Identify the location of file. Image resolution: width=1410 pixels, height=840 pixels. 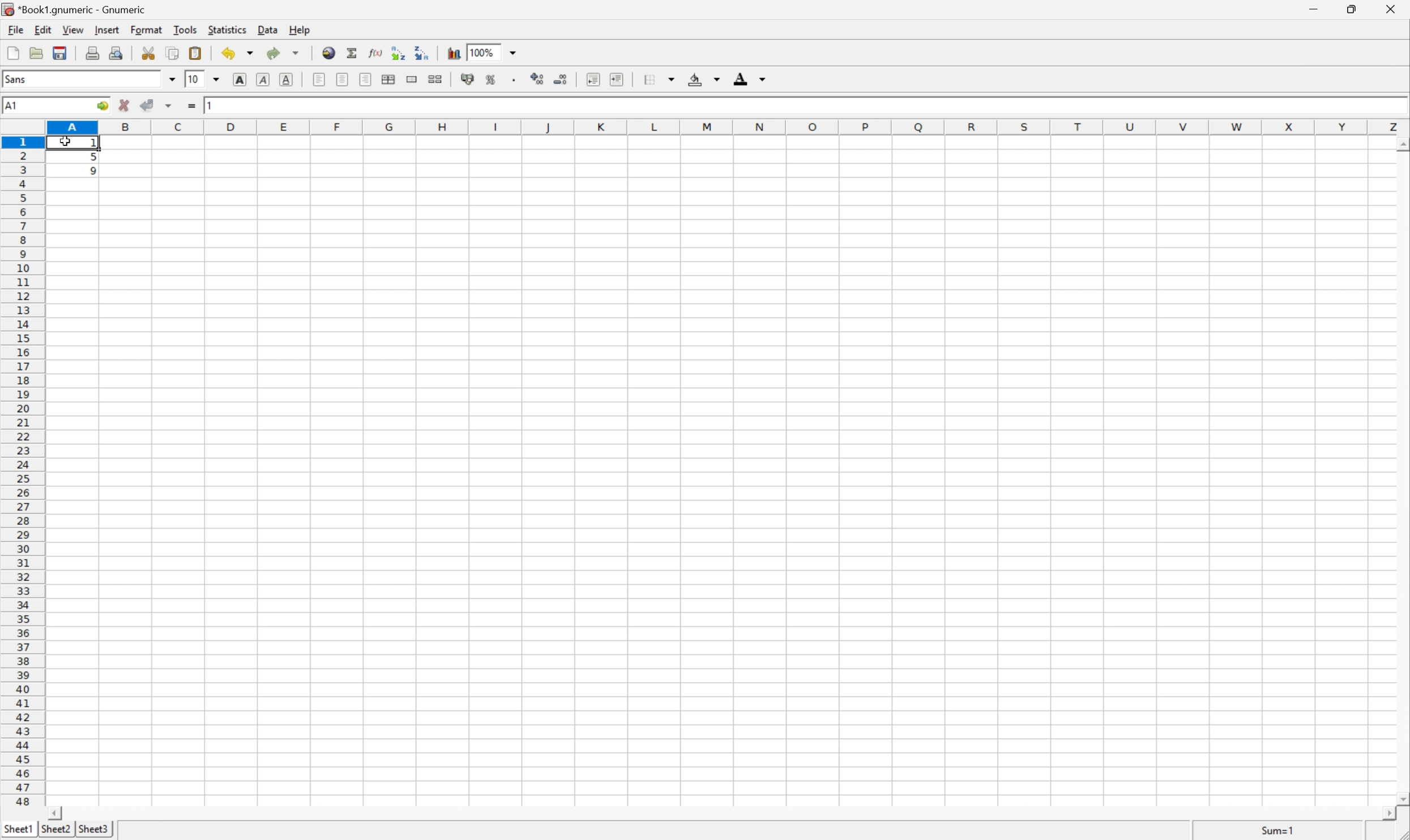
(14, 28).